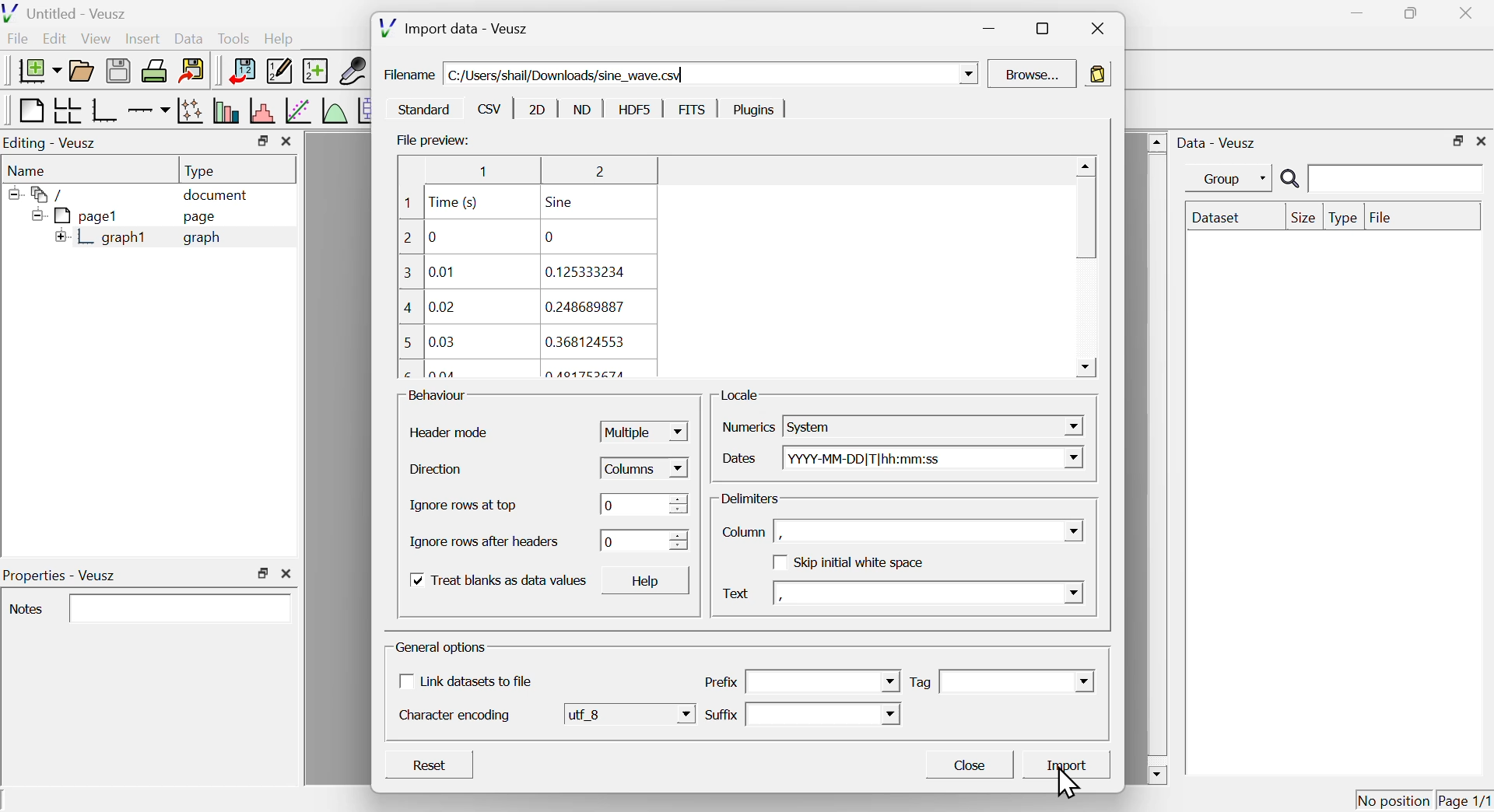 The image size is (1494, 812). What do you see at coordinates (653, 583) in the screenshot?
I see `Help` at bounding box center [653, 583].